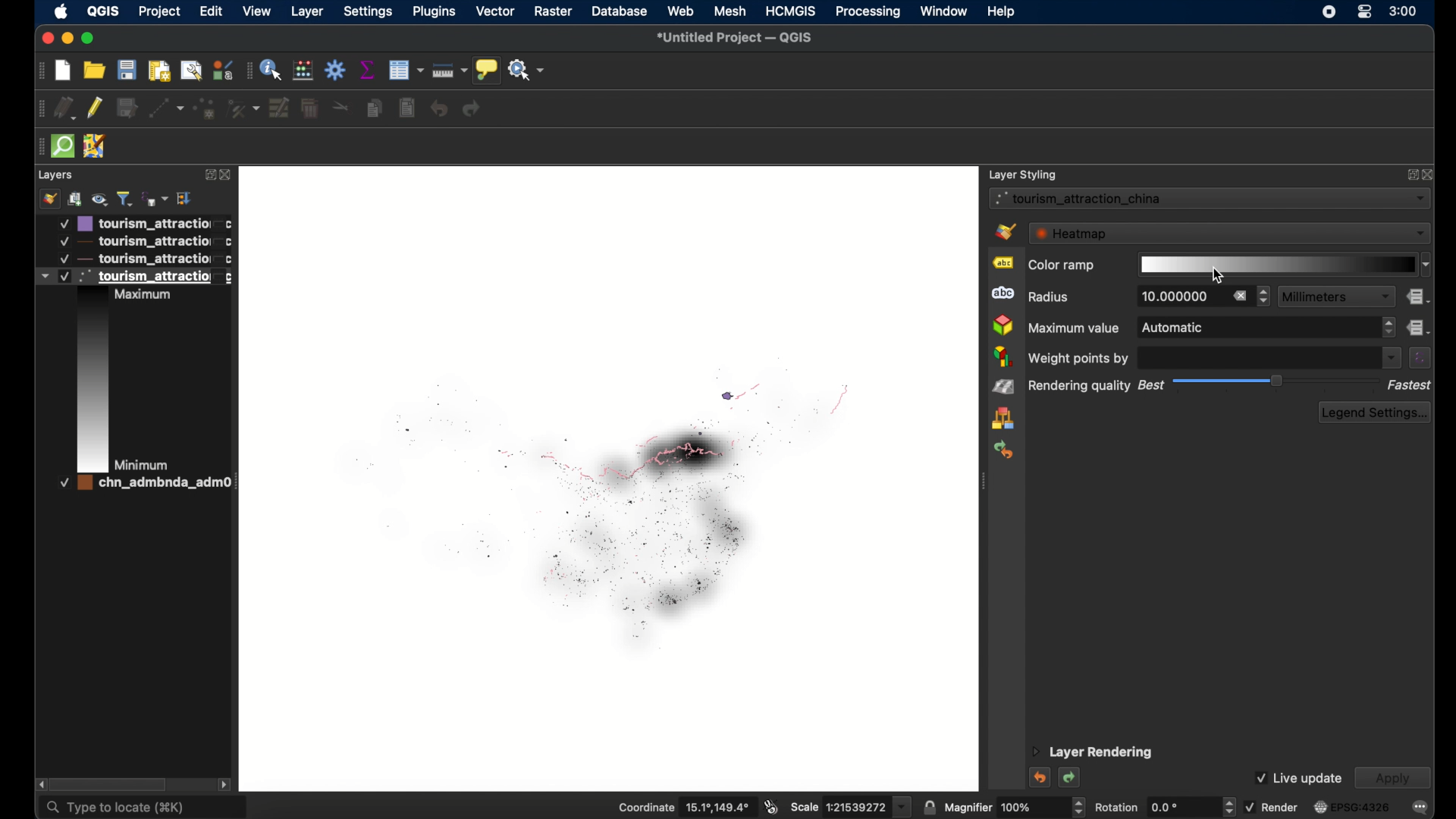  I want to click on layer, so click(307, 12).